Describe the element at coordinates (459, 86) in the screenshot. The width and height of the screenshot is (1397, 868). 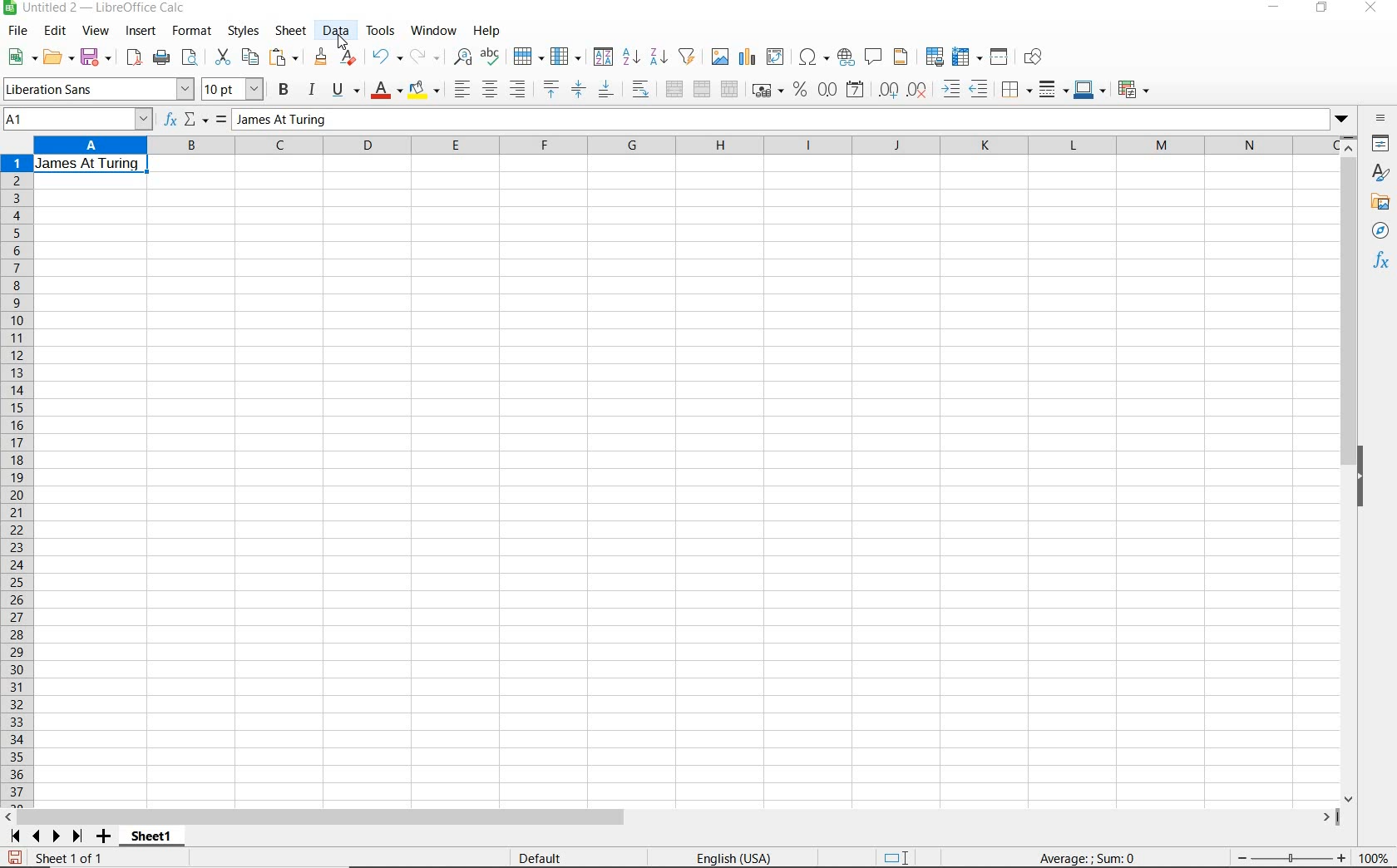
I see `align left` at that location.